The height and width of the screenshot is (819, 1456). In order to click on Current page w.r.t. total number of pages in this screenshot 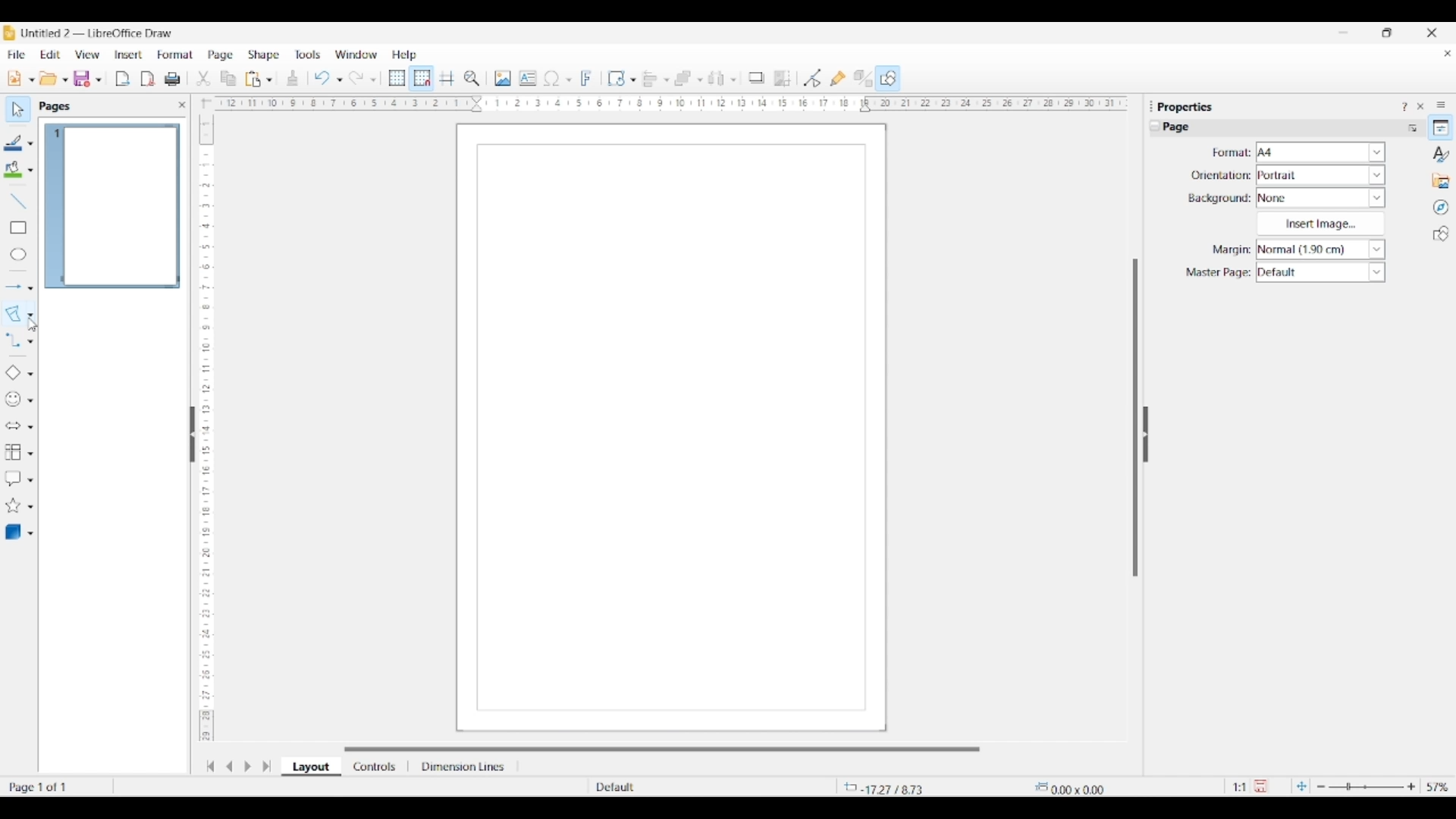, I will do `click(56, 786)`.